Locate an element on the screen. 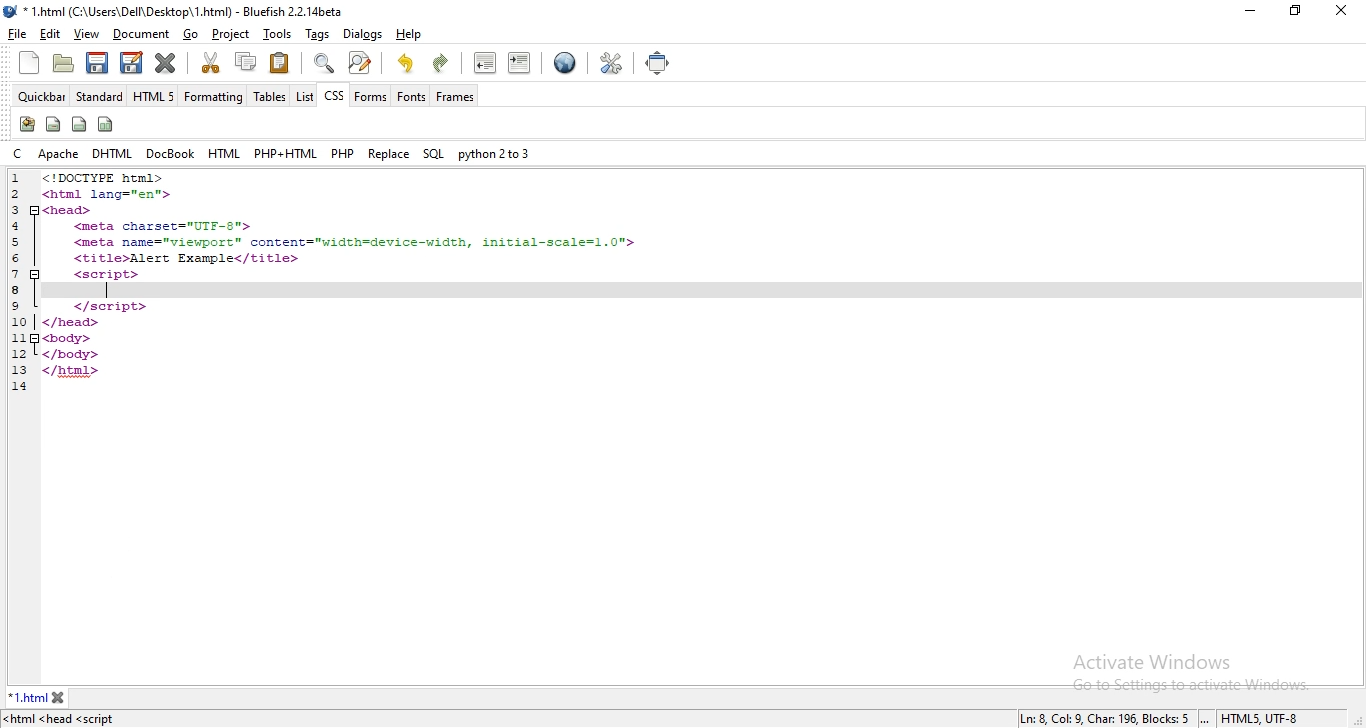  save is located at coordinates (99, 63).